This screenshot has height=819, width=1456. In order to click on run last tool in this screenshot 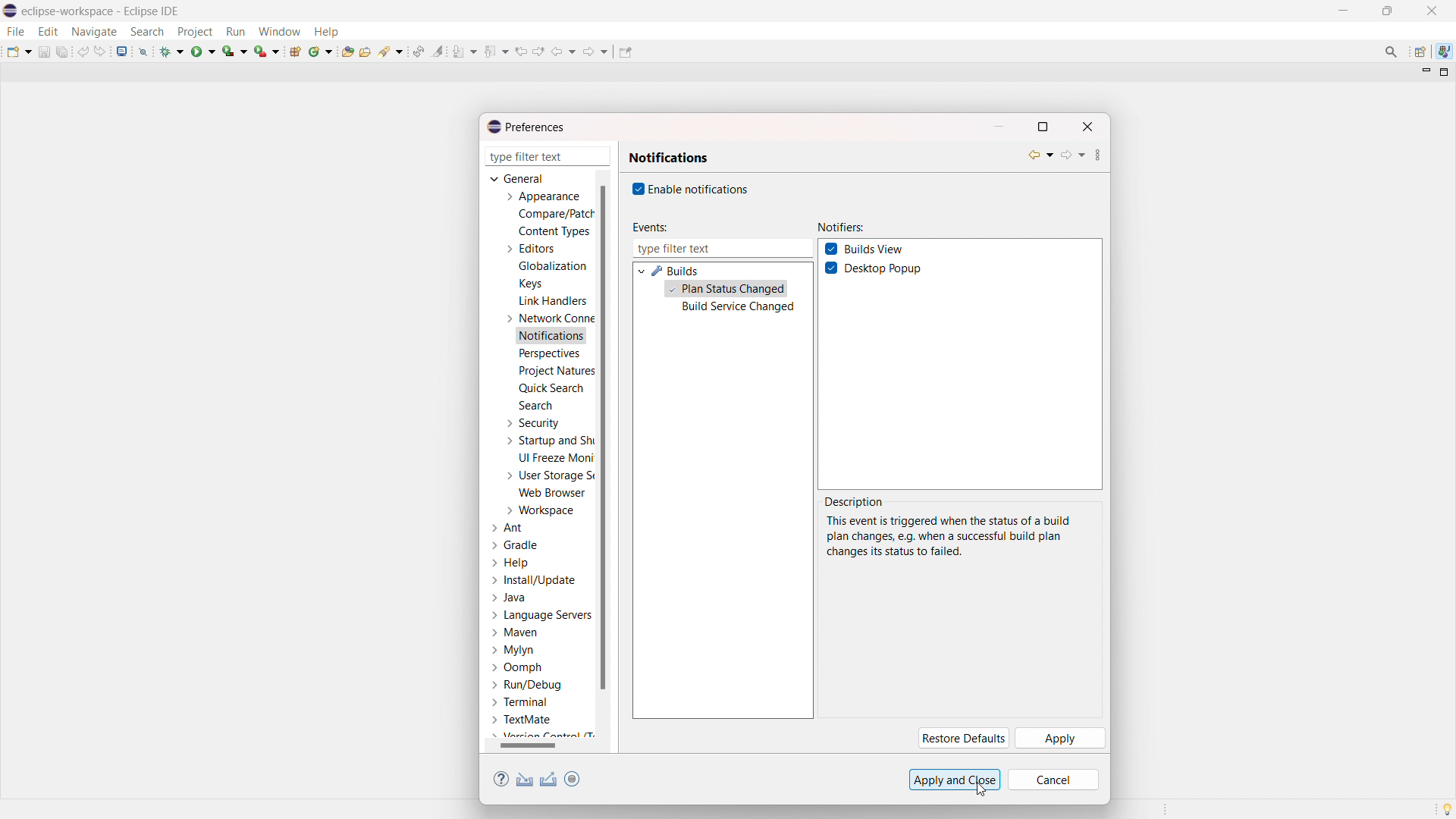, I will do `click(268, 51)`.